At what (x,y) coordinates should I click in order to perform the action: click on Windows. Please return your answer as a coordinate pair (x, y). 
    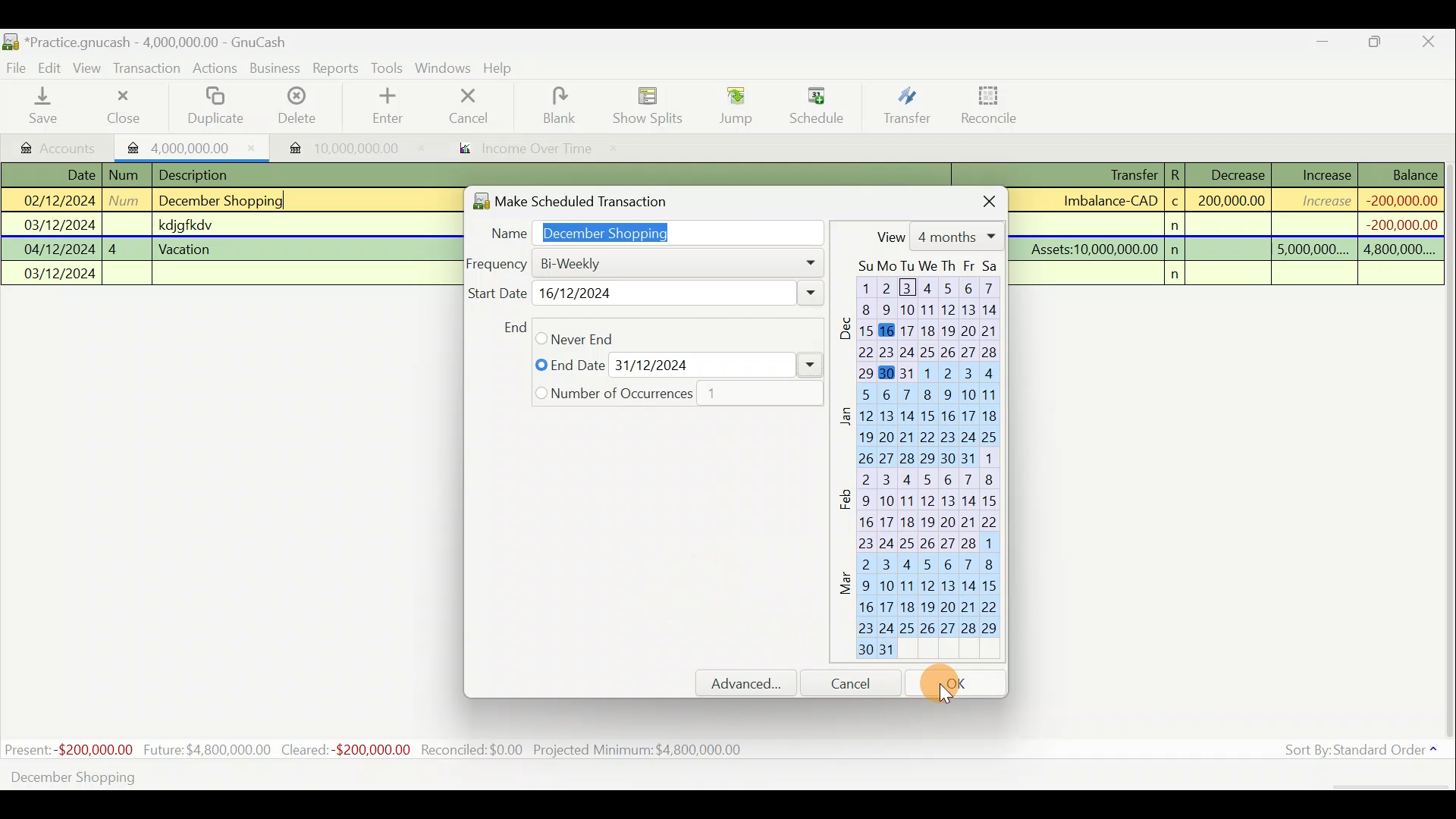
    Looking at the image, I should click on (445, 69).